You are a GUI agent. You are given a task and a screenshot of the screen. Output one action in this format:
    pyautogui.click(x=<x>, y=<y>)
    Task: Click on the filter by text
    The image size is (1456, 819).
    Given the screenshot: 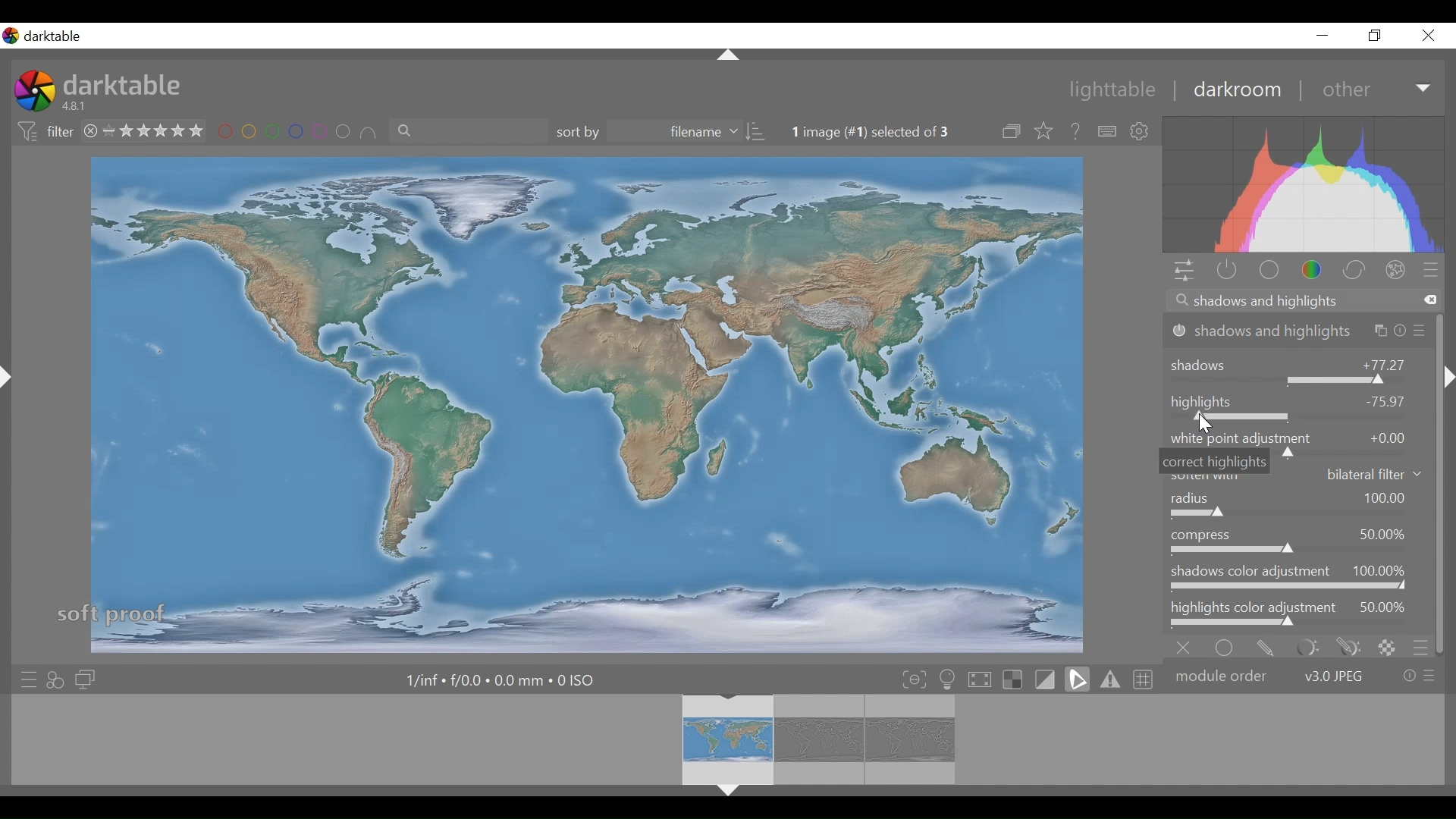 What is the action you would take?
    pyautogui.click(x=468, y=133)
    